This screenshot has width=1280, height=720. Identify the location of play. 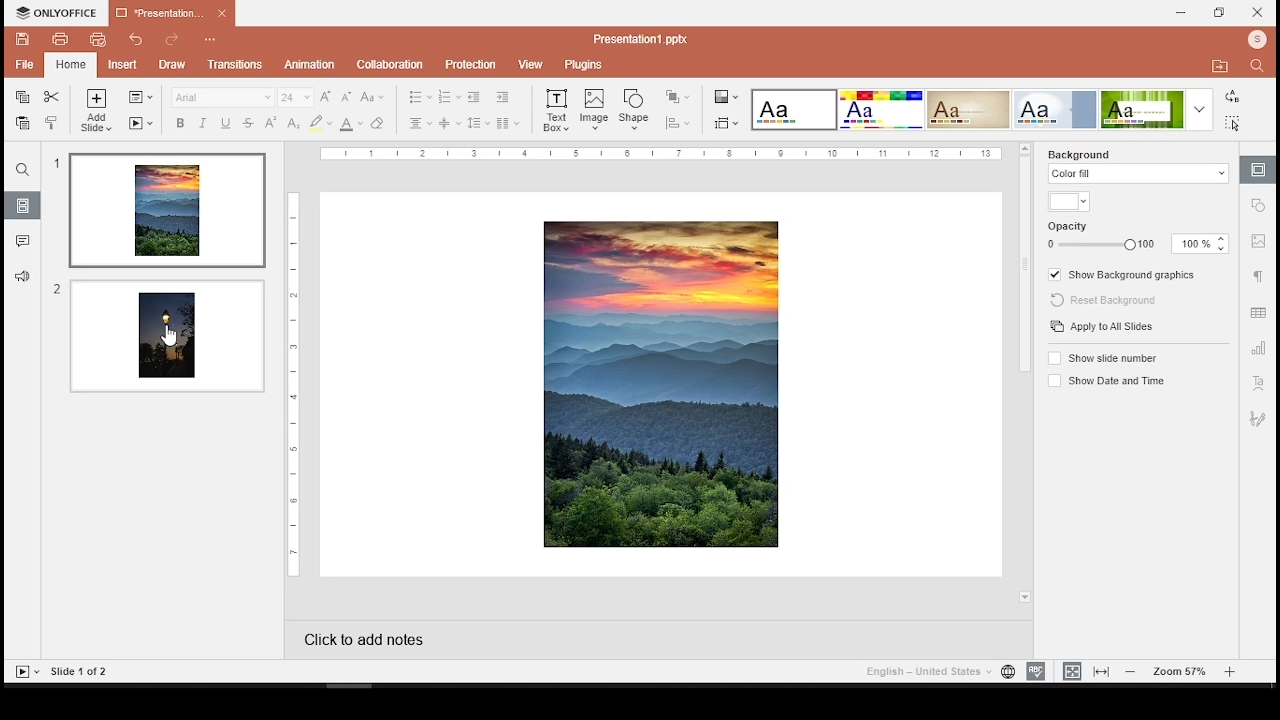
(27, 672).